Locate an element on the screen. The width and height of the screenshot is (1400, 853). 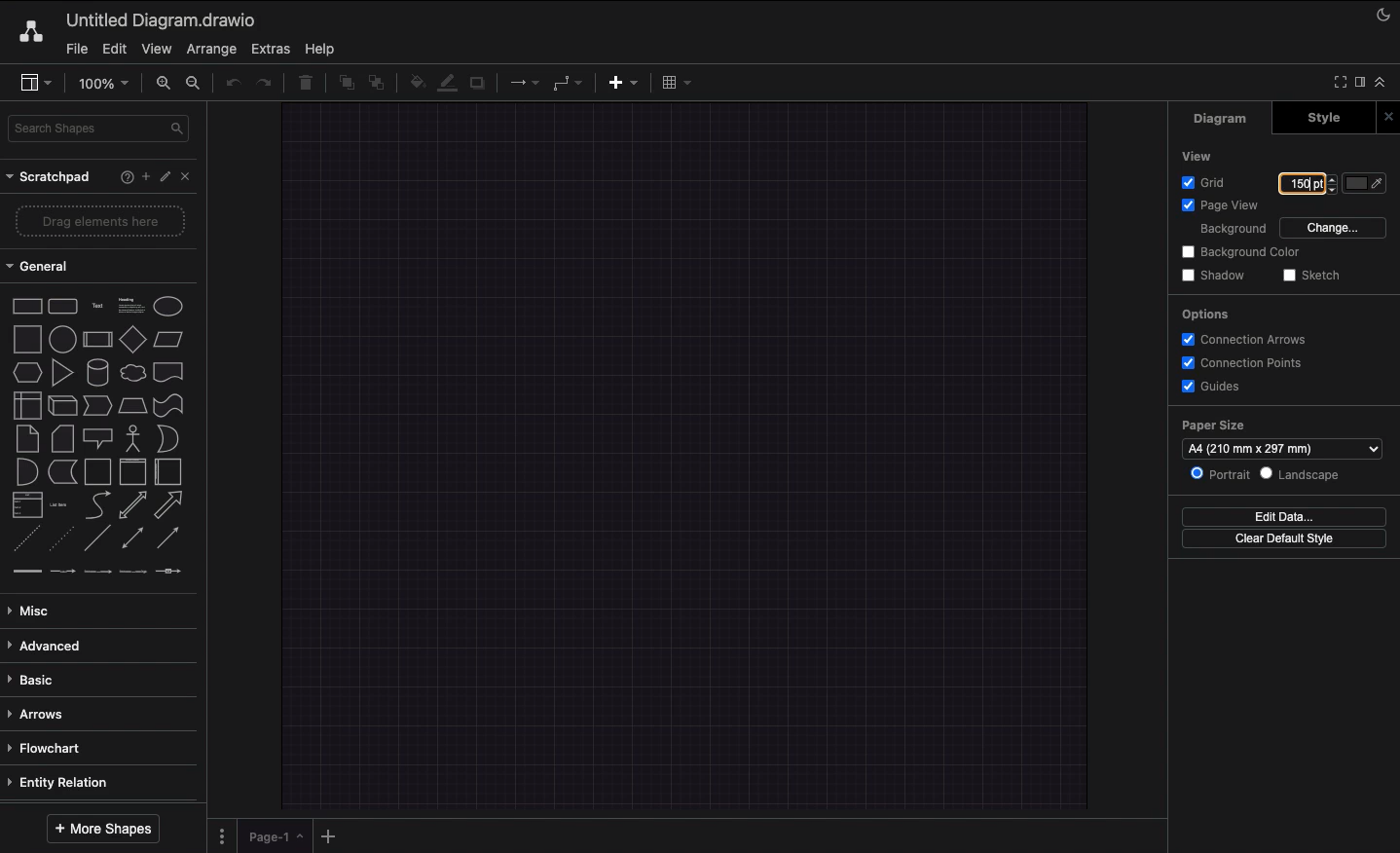
Zoom out is located at coordinates (196, 85).